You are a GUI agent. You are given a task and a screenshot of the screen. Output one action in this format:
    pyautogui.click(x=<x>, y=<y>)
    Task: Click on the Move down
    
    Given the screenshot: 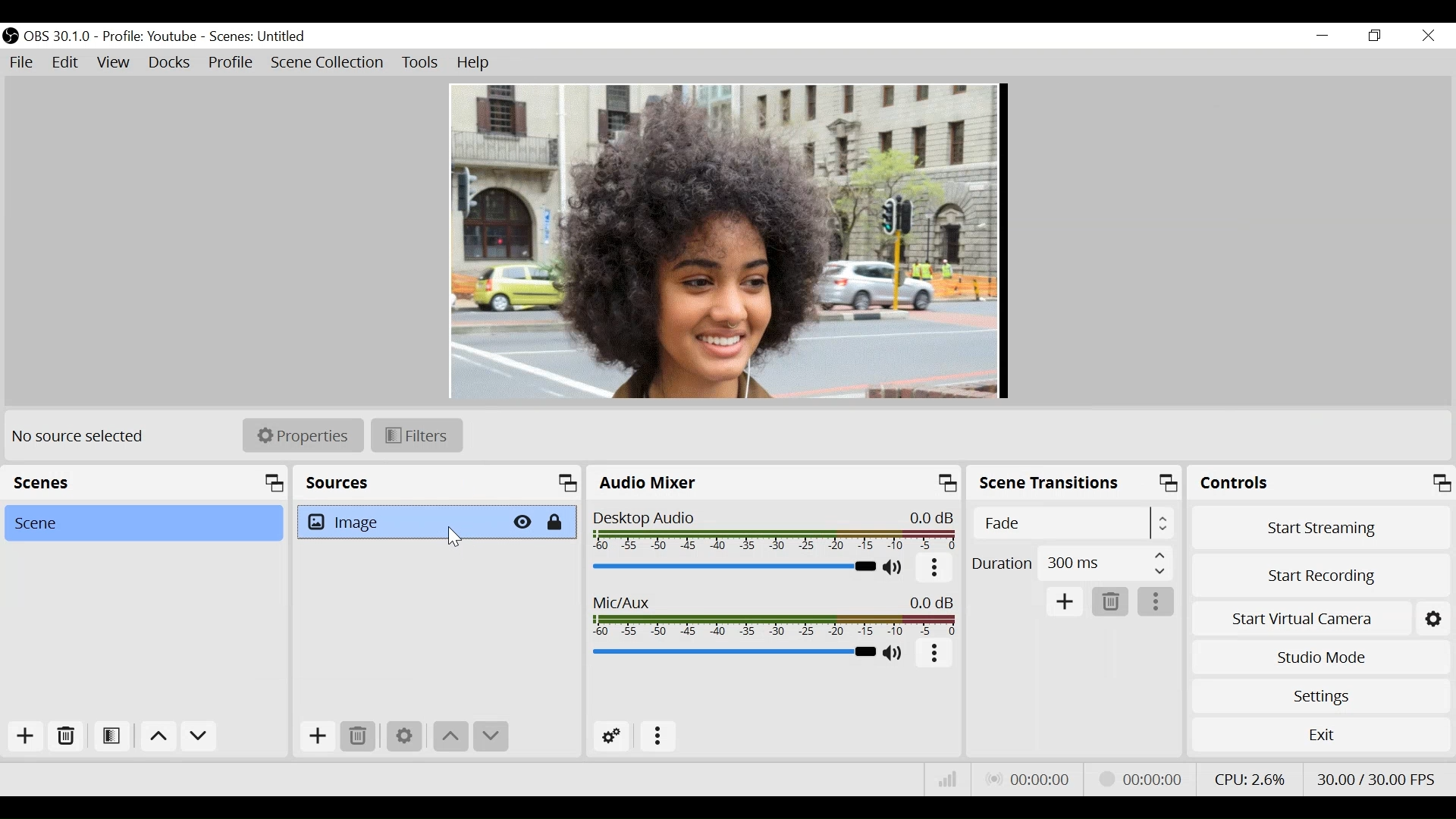 What is the action you would take?
    pyautogui.click(x=491, y=736)
    